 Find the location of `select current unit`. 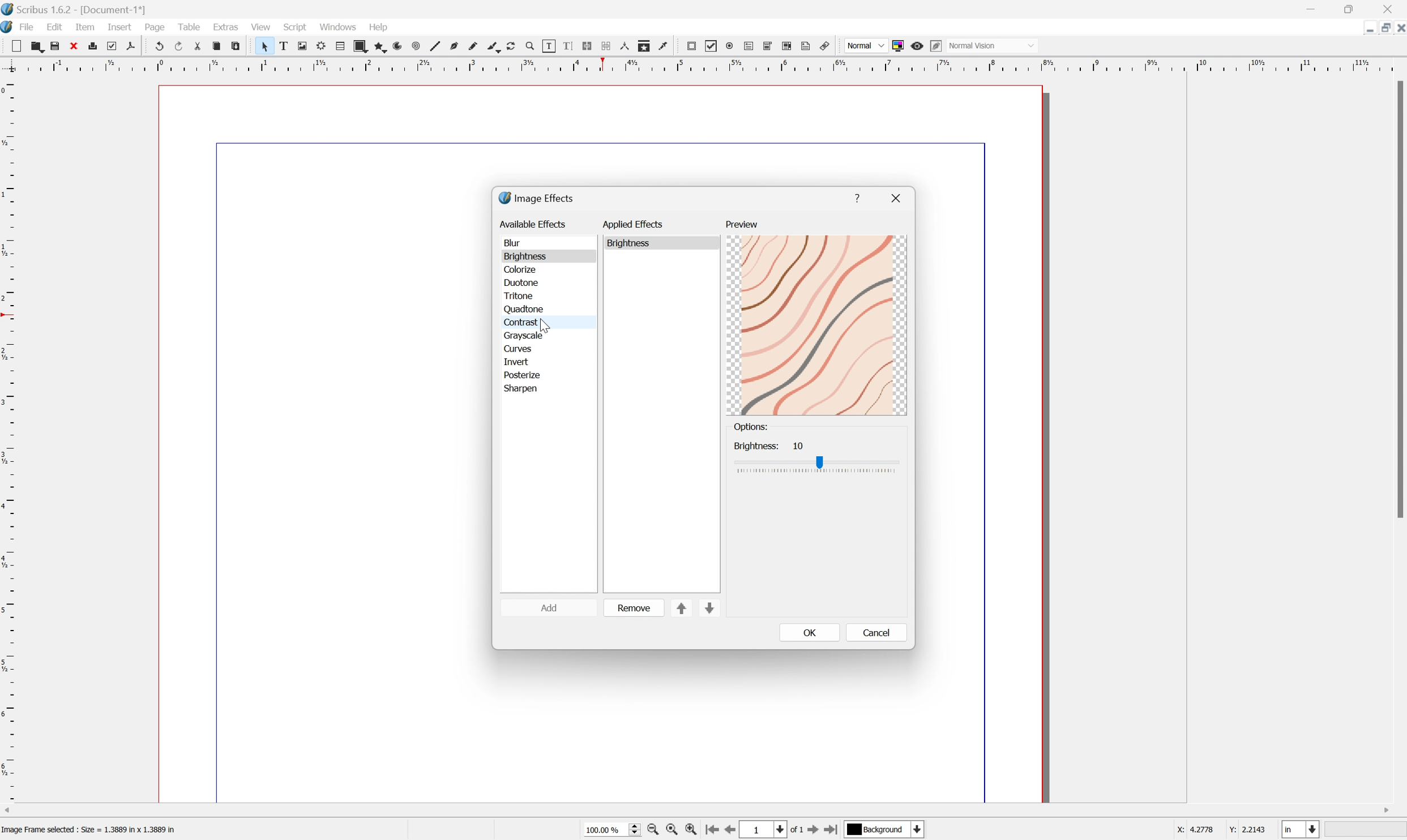

select current unit is located at coordinates (1302, 829).